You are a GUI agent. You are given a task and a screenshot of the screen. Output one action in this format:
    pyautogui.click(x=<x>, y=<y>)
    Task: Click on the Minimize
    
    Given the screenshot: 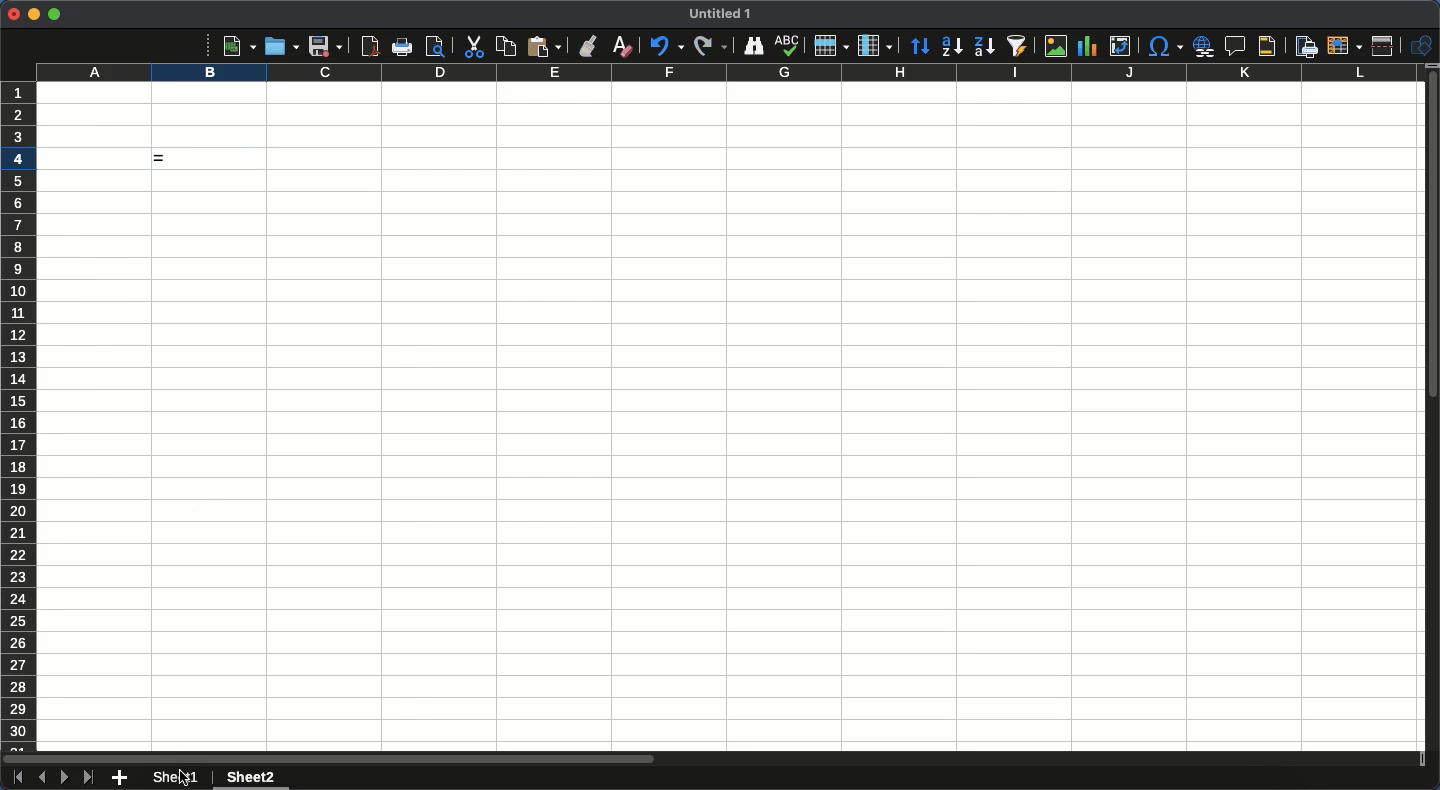 What is the action you would take?
    pyautogui.click(x=34, y=15)
    